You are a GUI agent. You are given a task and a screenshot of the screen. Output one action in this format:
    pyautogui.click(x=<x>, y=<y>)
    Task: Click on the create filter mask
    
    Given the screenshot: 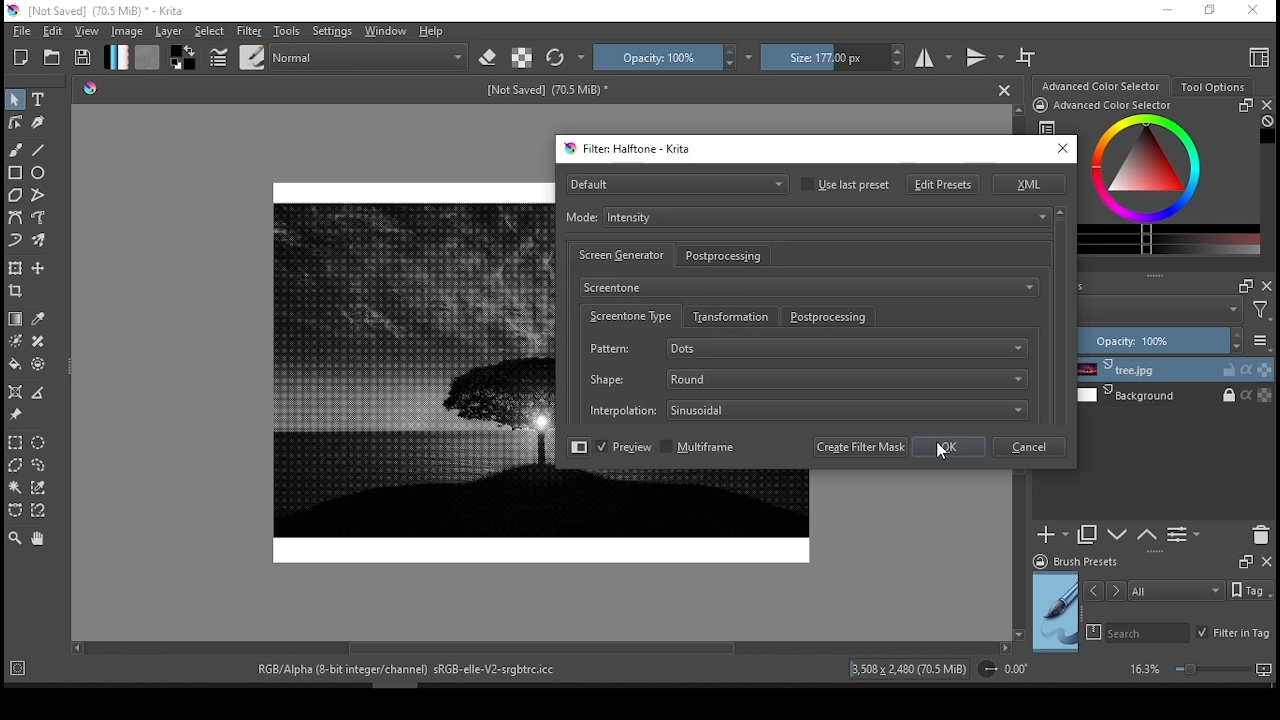 What is the action you would take?
    pyautogui.click(x=862, y=447)
    